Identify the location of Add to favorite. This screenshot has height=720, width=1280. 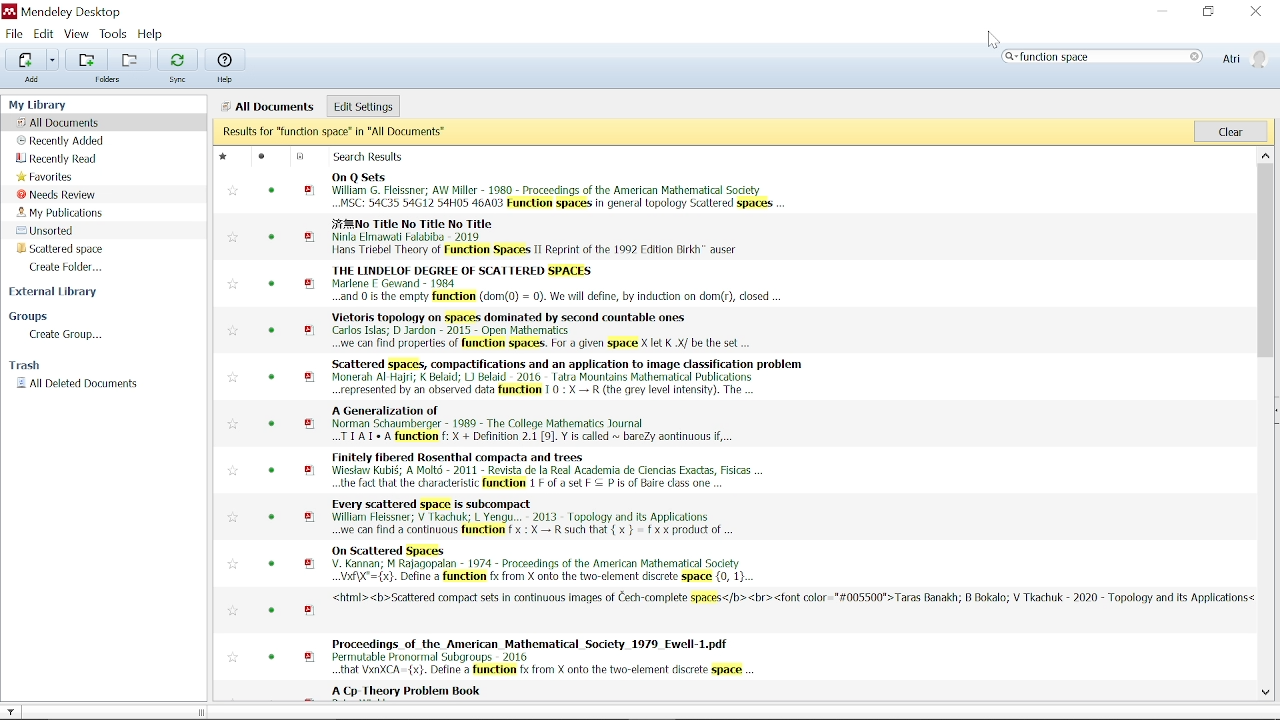
(233, 237).